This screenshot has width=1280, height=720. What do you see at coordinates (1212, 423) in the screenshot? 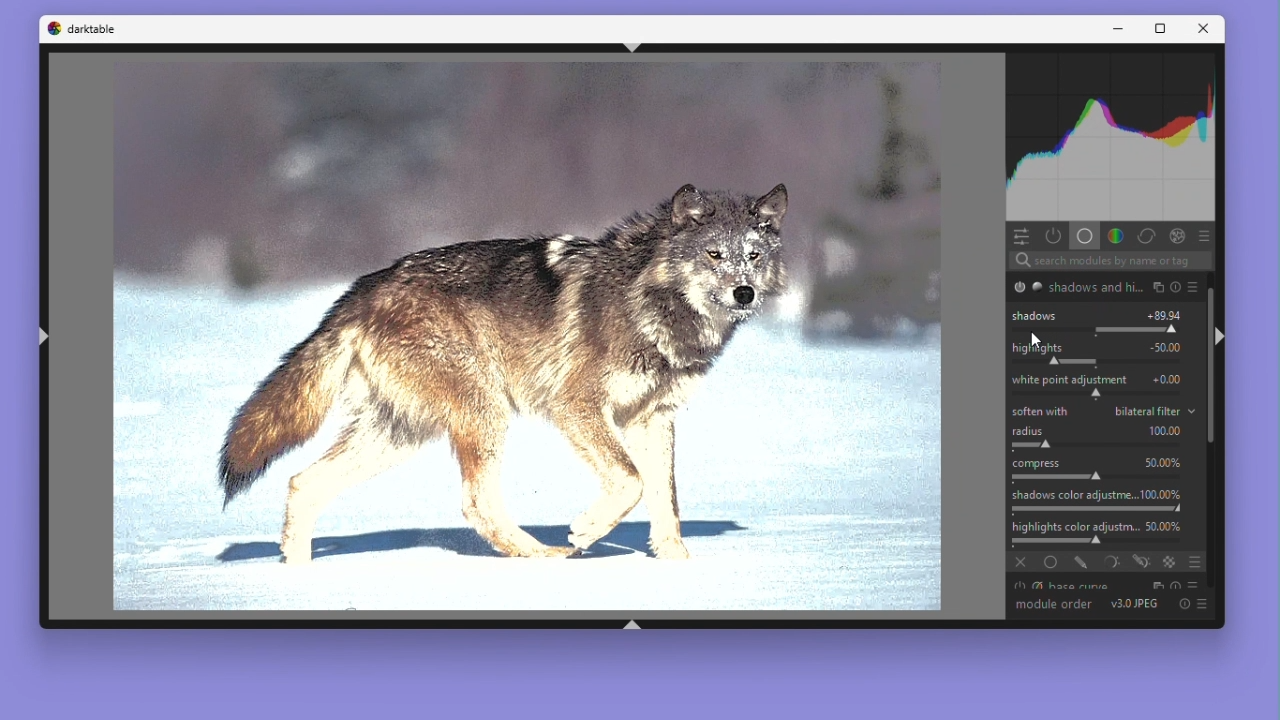
I see `Vertical scrollbar` at bounding box center [1212, 423].